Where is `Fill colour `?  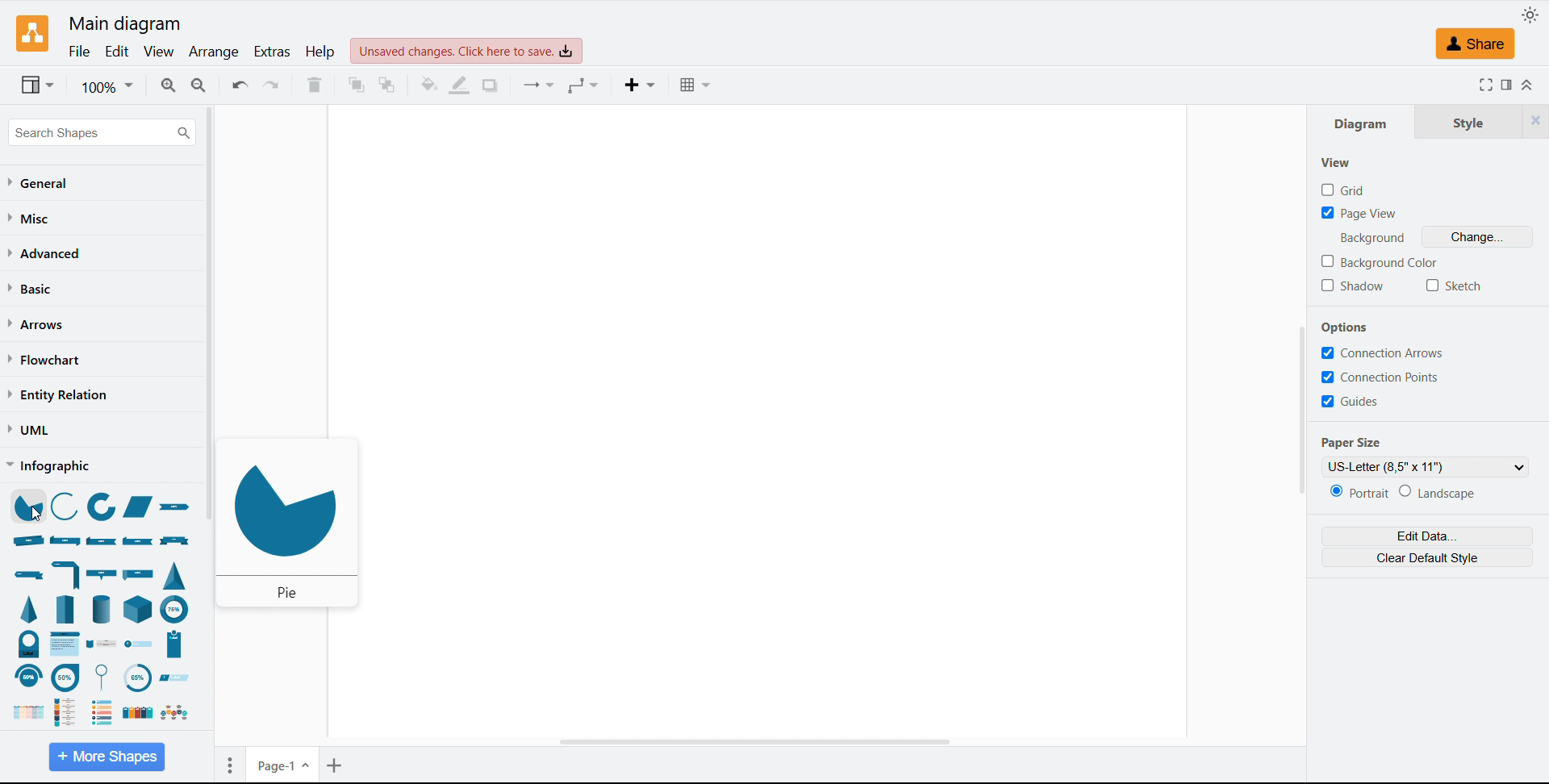 Fill colour  is located at coordinates (428, 84).